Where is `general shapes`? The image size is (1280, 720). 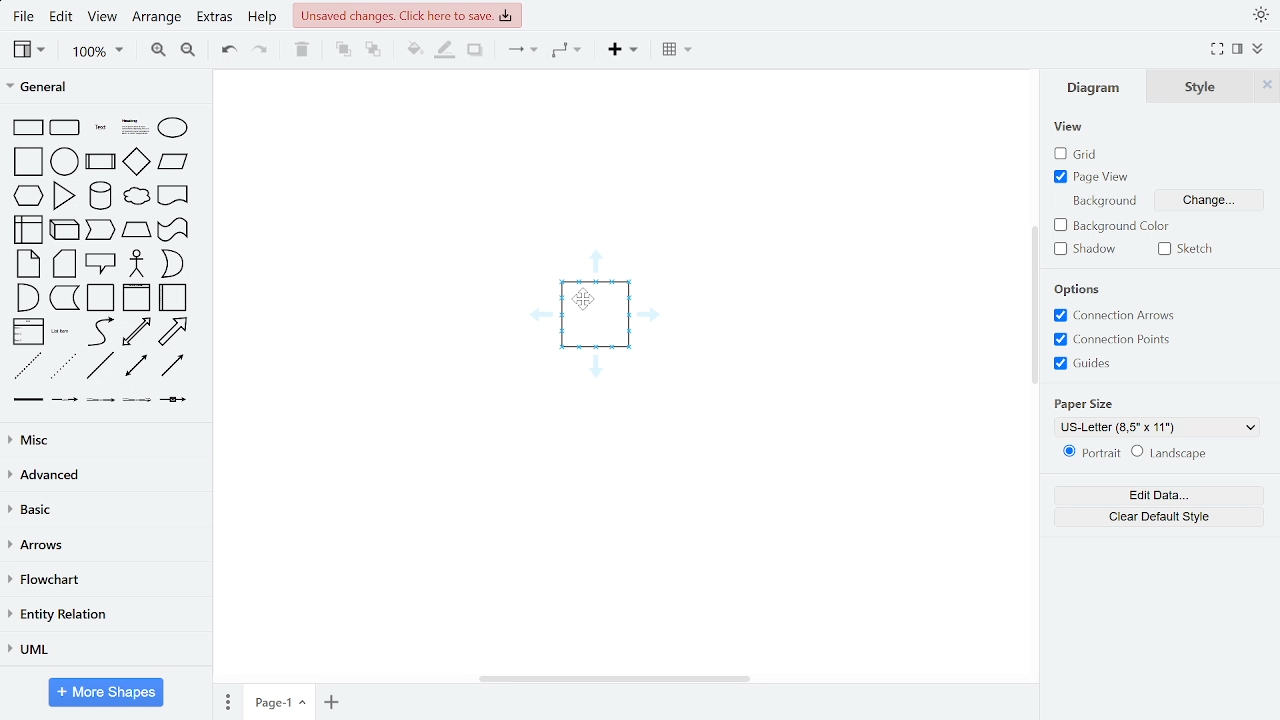 general shapes is located at coordinates (27, 330).